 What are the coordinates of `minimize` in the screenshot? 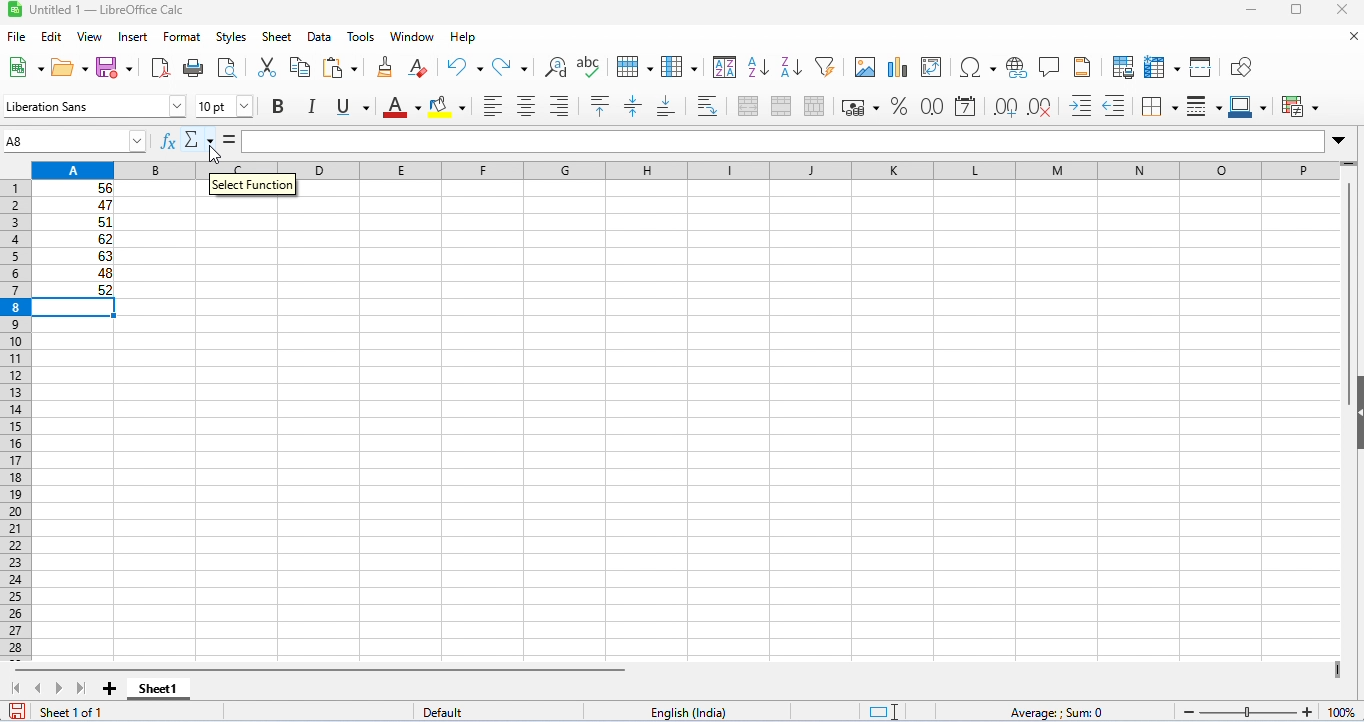 It's located at (1257, 12).